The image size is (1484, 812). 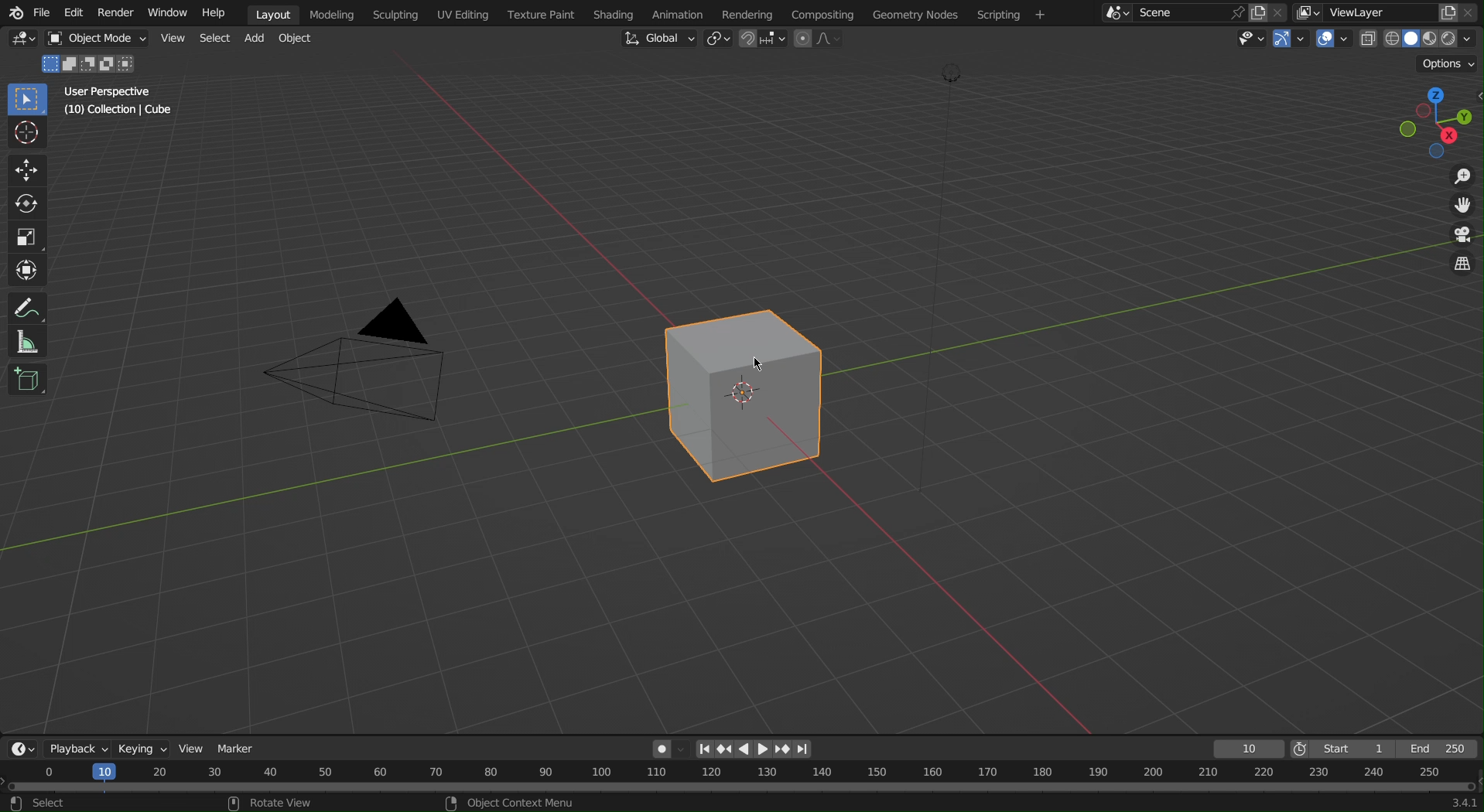 I want to click on Object, so click(x=296, y=39).